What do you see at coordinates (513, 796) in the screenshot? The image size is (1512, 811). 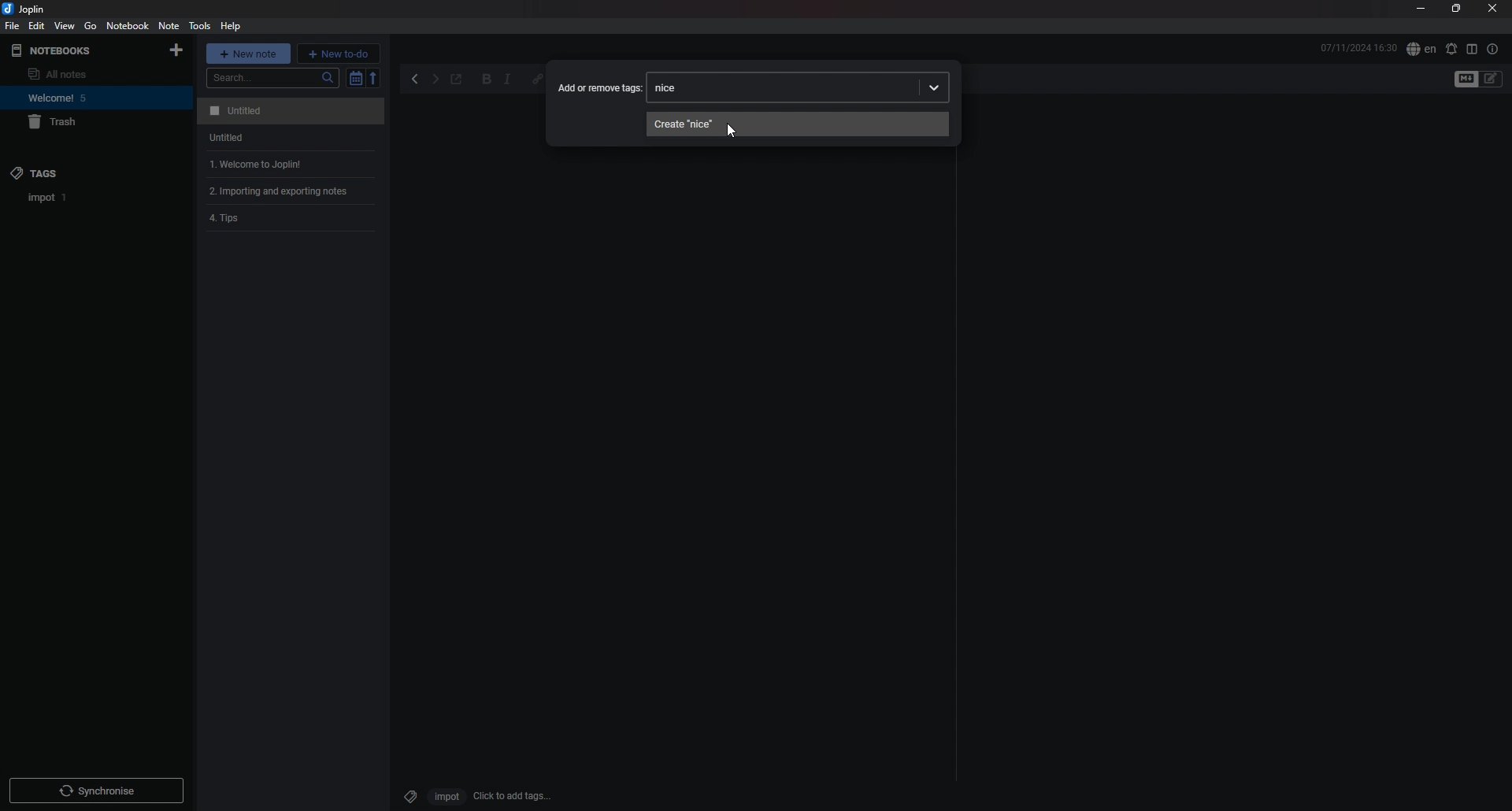 I see `add tags` at bounding box center [513, 796].